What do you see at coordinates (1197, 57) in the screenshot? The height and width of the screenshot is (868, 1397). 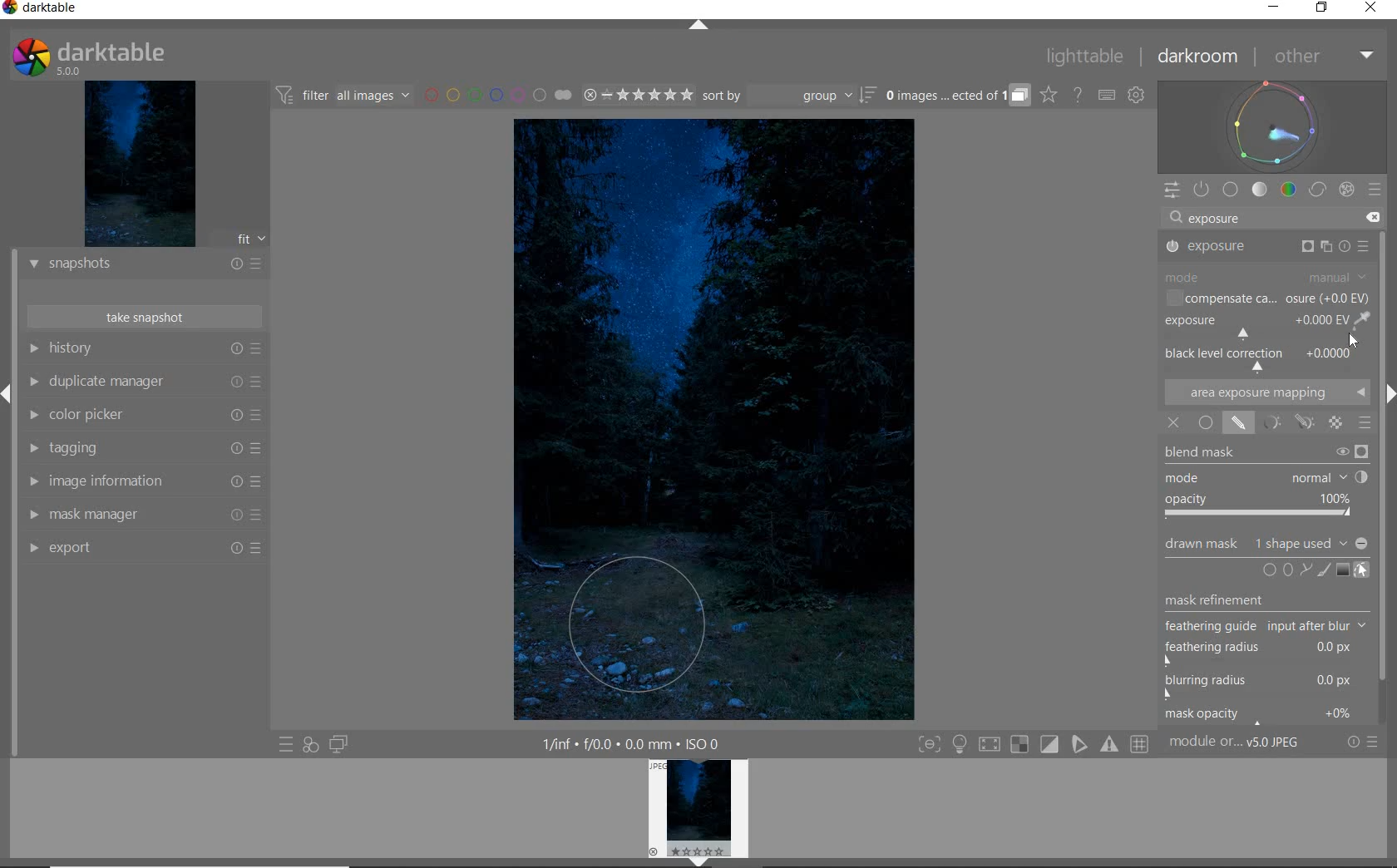 I see `DARKROOM` at bounding box center [1197, 57].